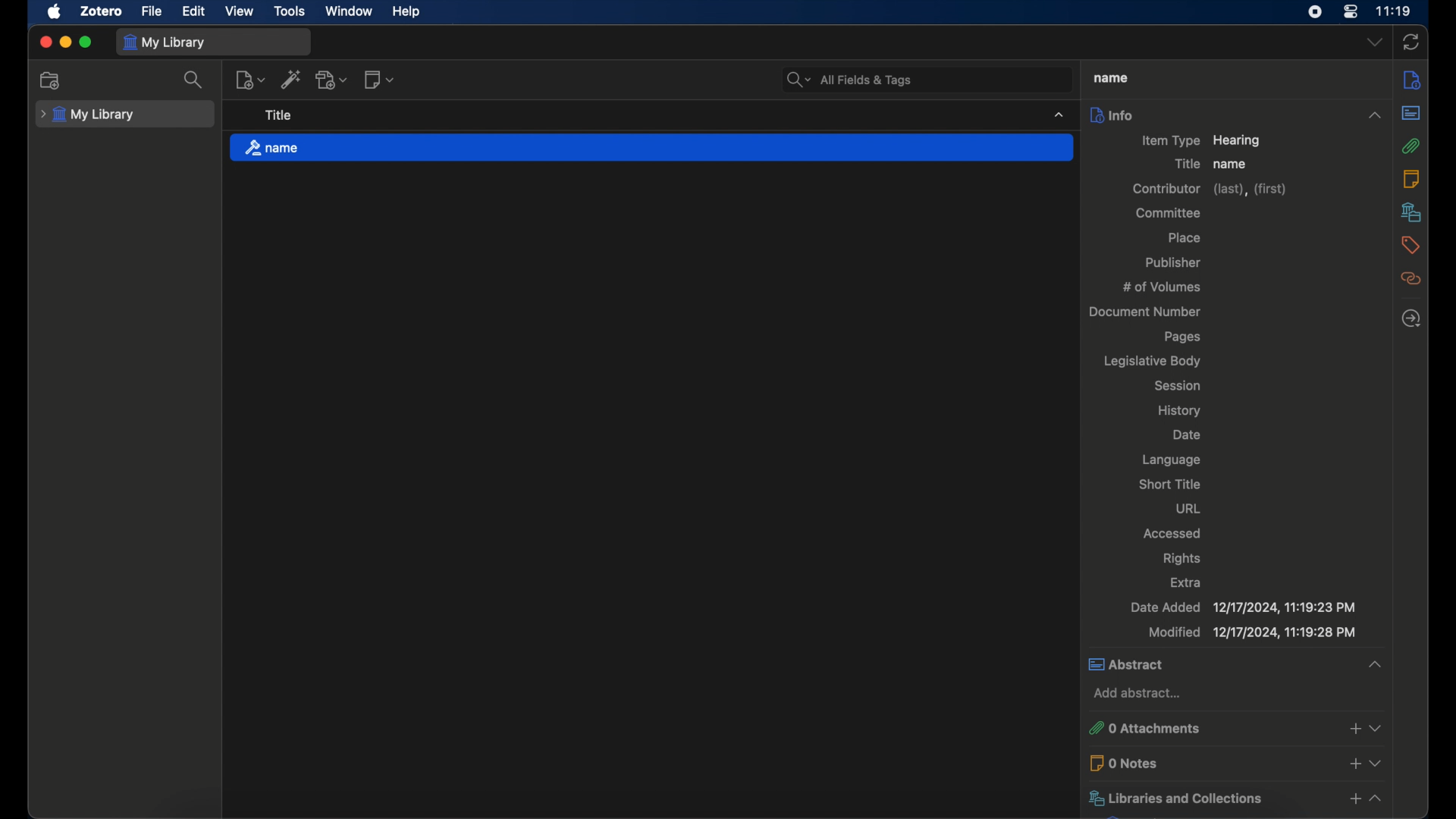 This screenshot has width=1456, height=819. Describe the element at coordinates (152, 12) in the screenshot. I see `file` at that location.